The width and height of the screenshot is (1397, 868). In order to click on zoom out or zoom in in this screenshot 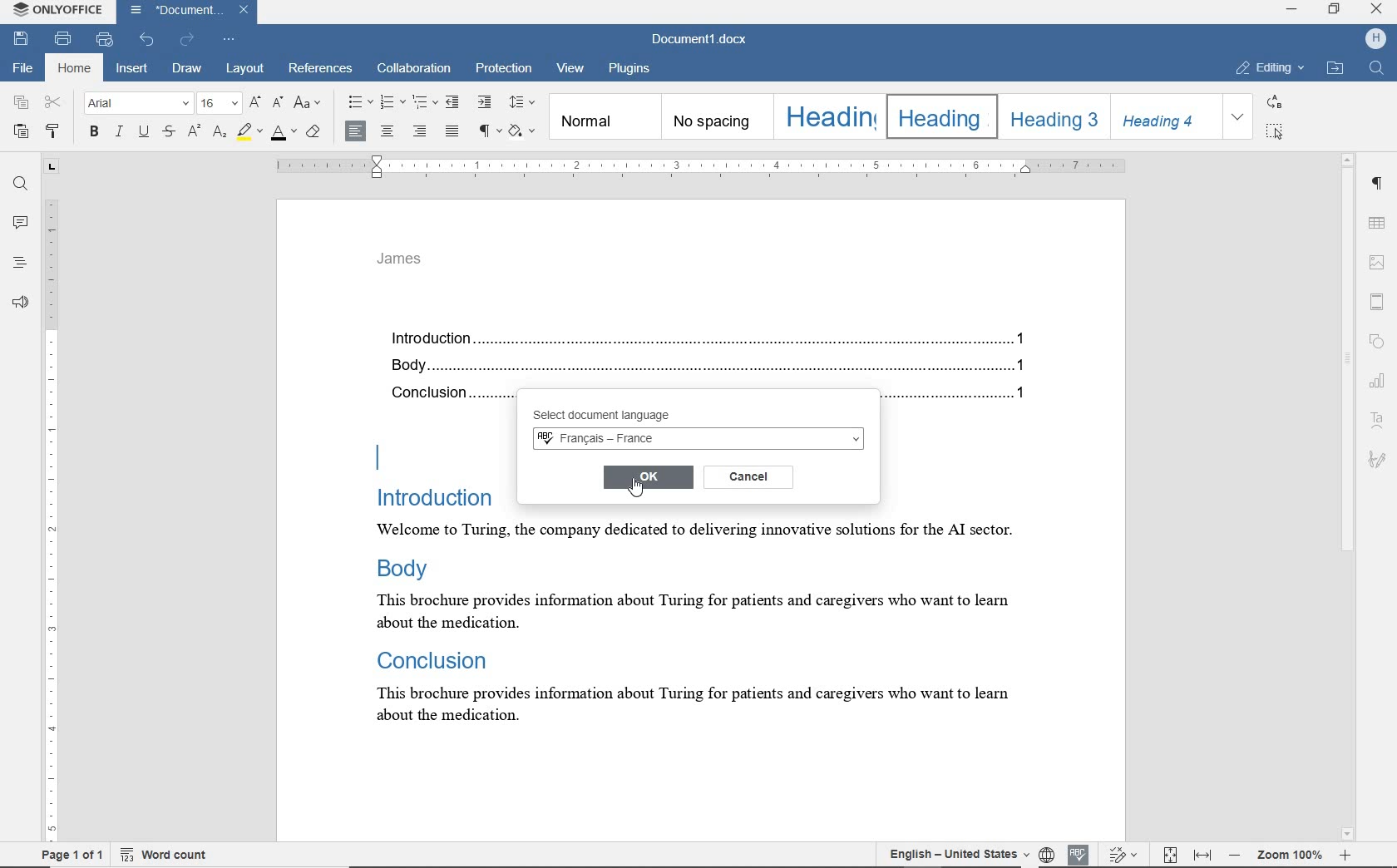, I will do `click(1293, 853)`.